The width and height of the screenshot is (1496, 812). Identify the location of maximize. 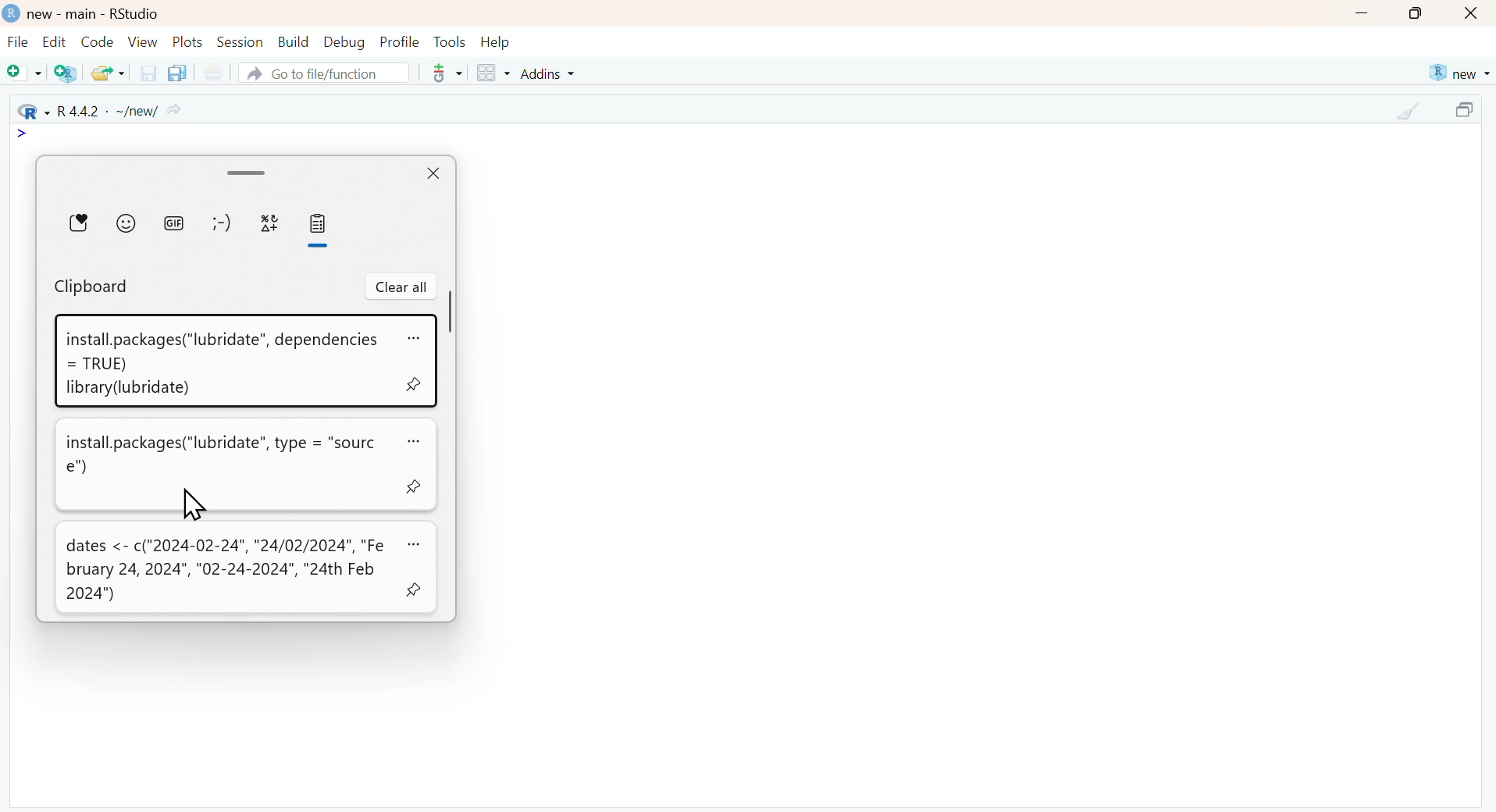
(1416, 13).